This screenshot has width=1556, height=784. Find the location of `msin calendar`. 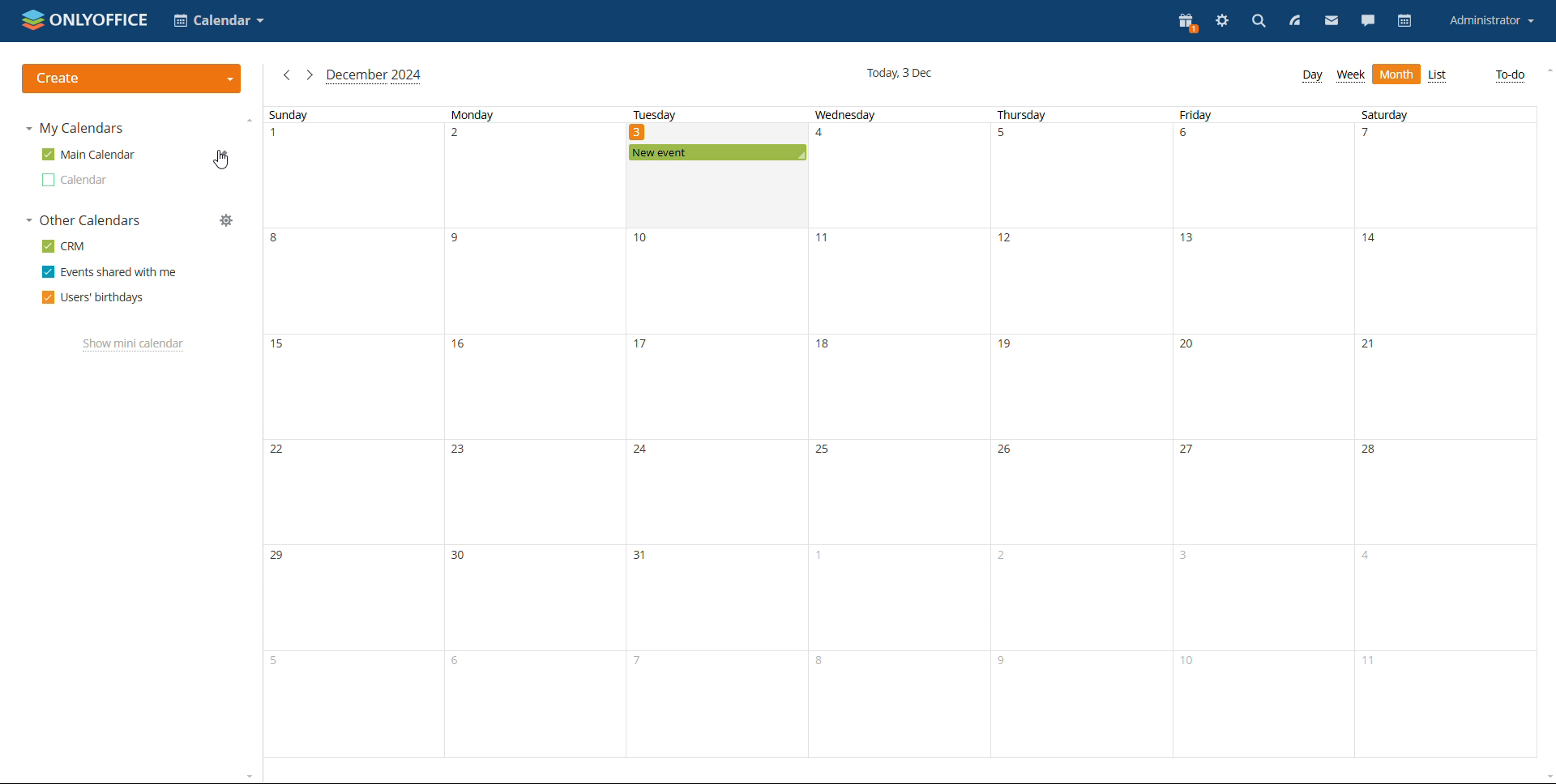

msin calendar is located at coordinates (88, 155).